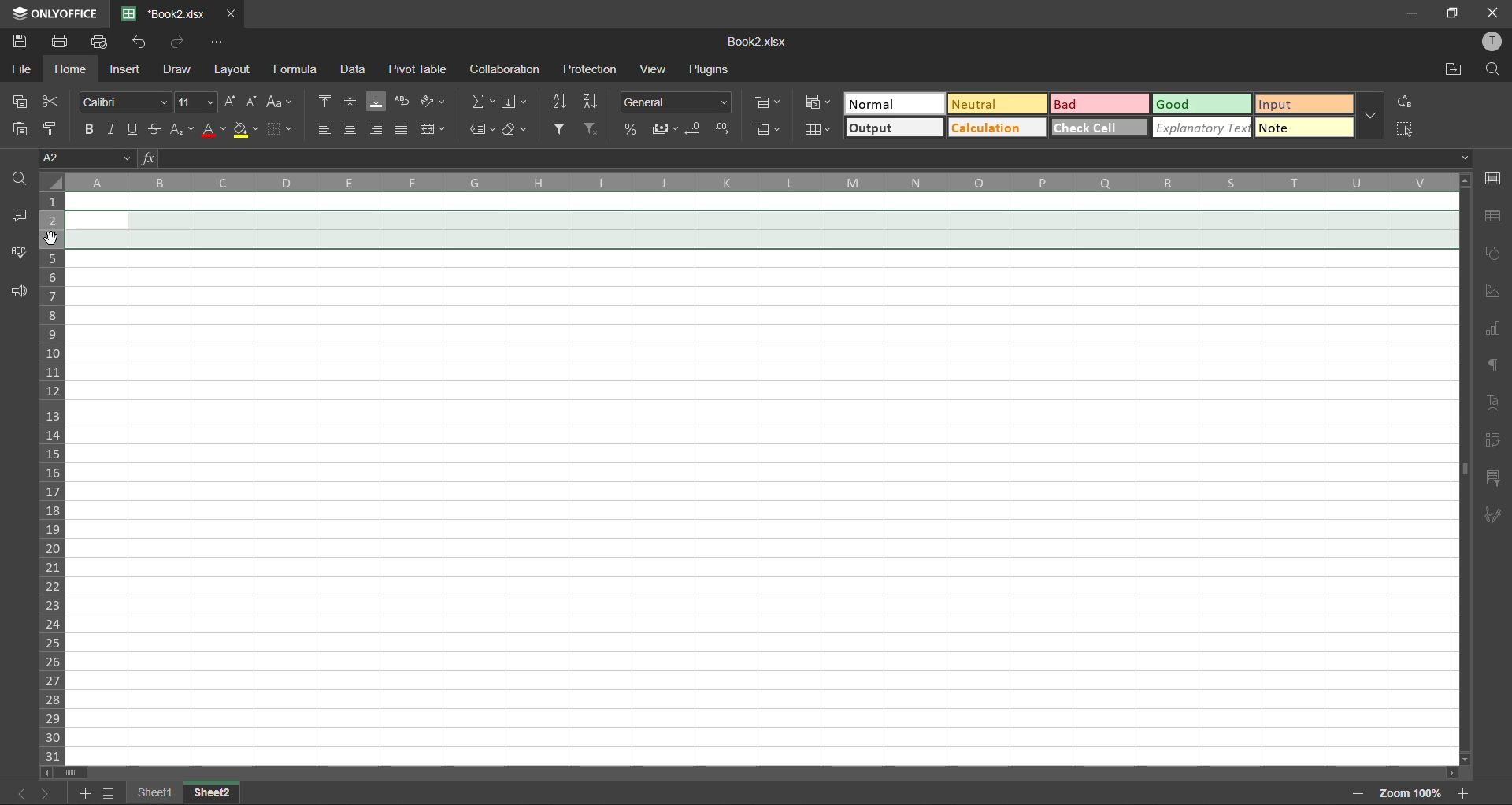  Describe the element at coordinates (562, 102) in the screenshot. I see `sort ascending` at that location.